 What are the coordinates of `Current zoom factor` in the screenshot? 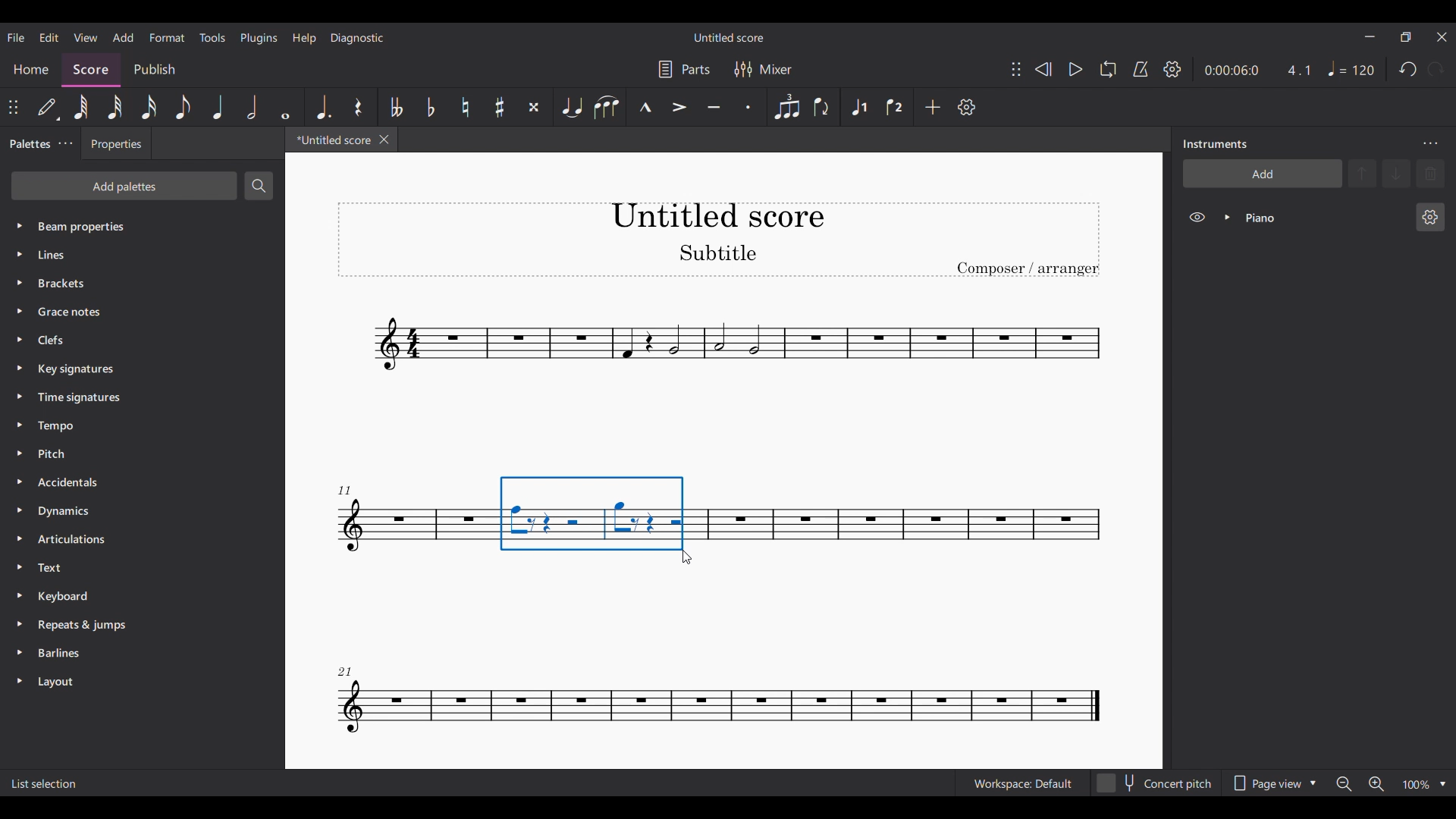 It's located at (1417, 784).